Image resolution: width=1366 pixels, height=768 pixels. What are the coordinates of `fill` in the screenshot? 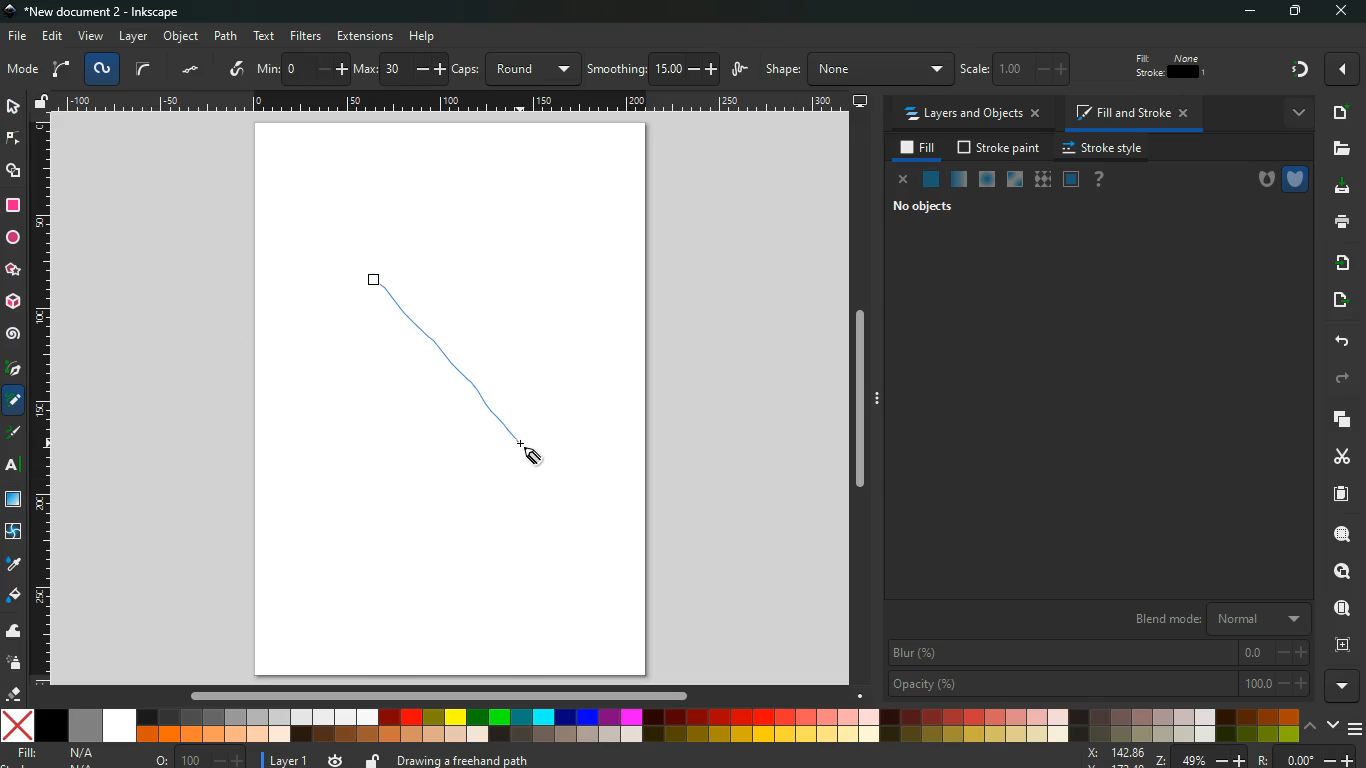 It's located at (919, 148).